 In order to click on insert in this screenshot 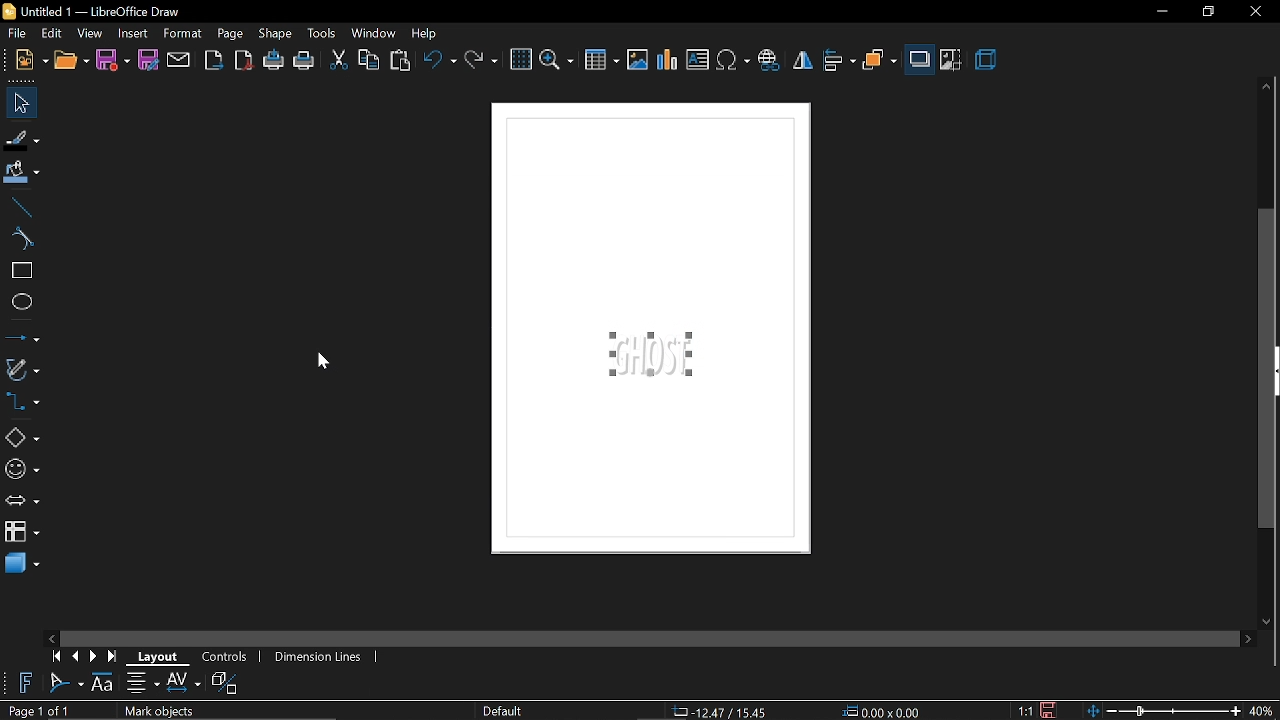, I will do `click(133, 35)`.